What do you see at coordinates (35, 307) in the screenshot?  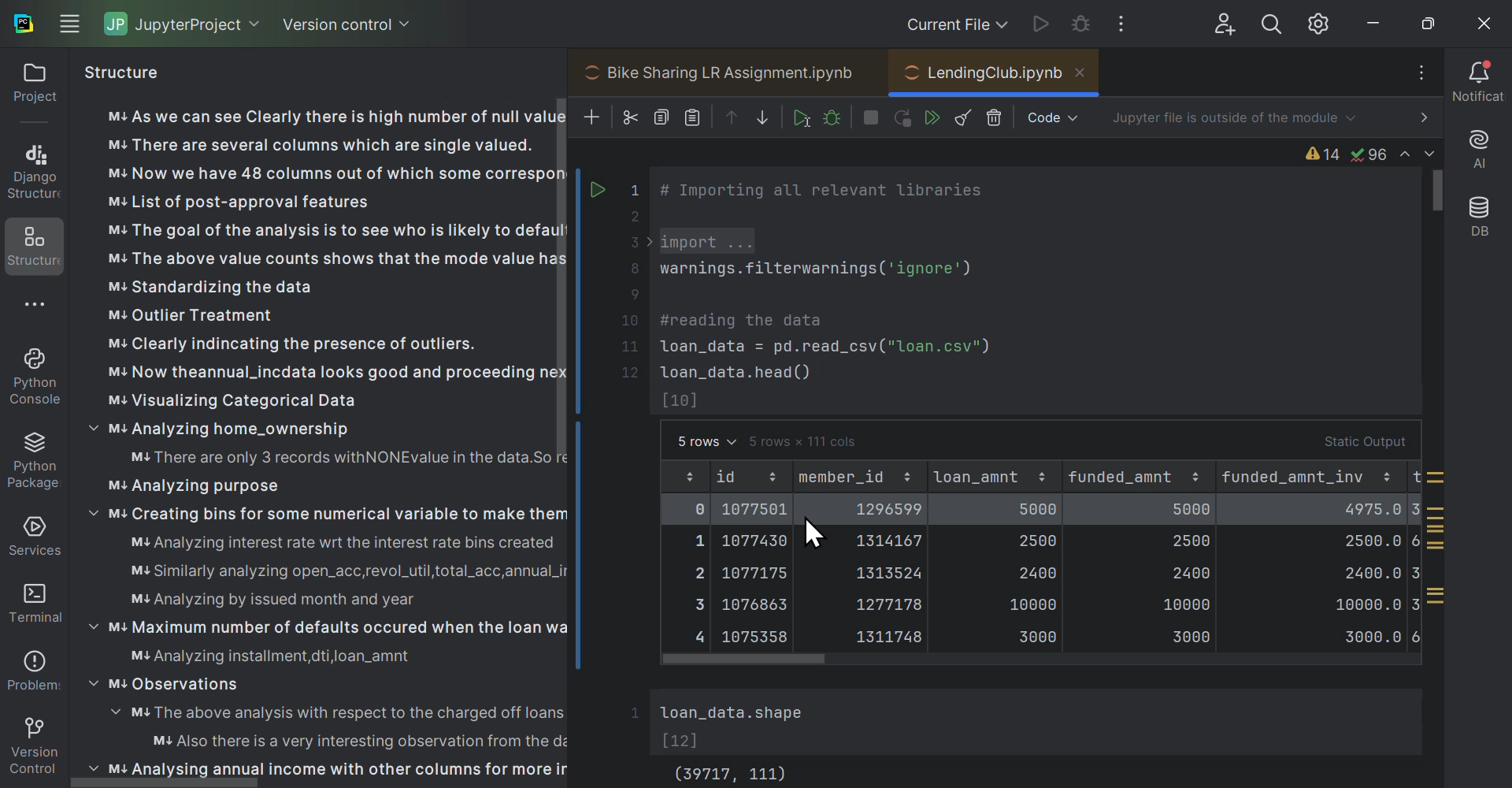 I see `More options` at bounding box center [35, 307].